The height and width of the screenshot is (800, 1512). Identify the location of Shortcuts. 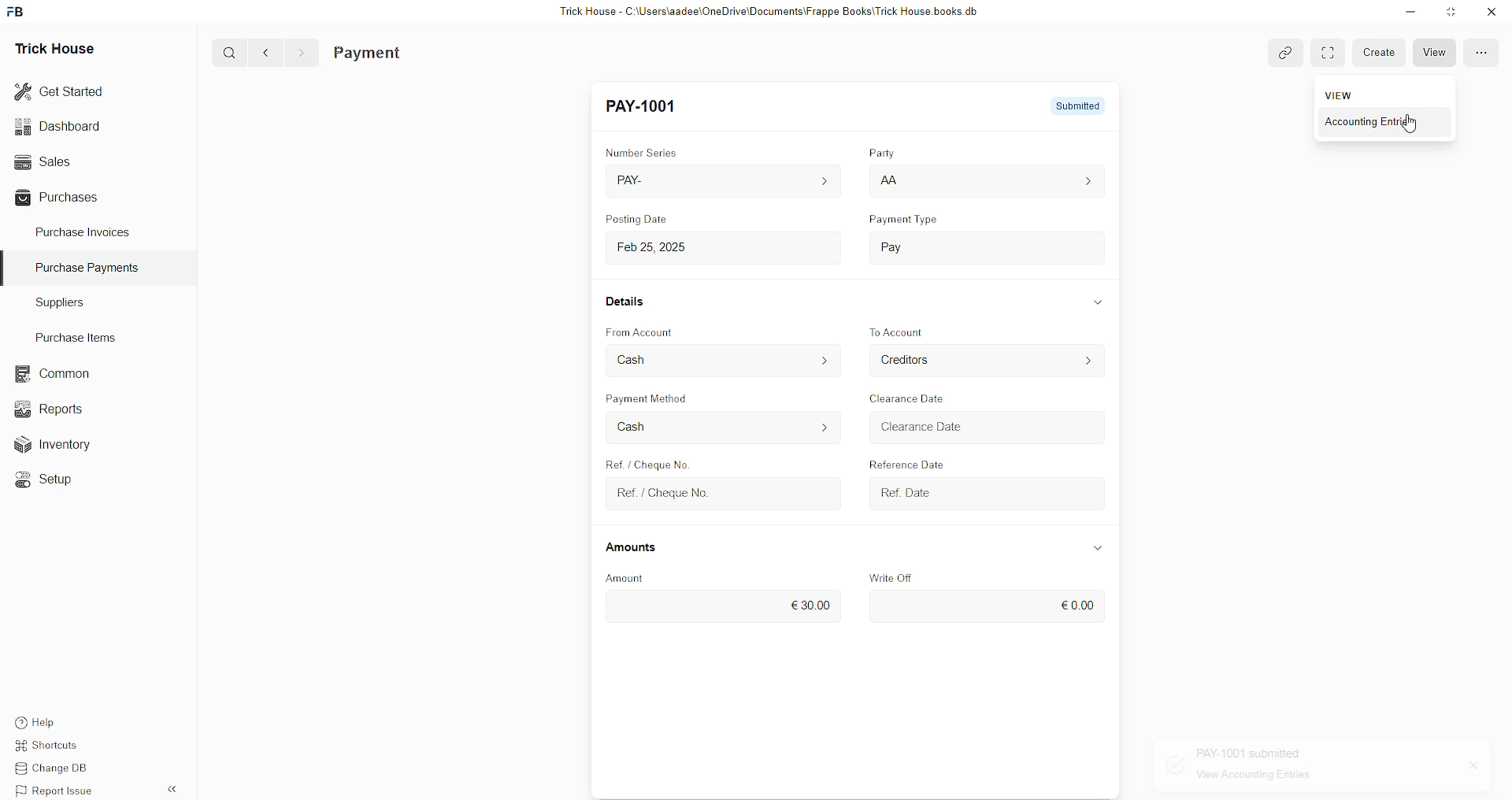
(56, 747).